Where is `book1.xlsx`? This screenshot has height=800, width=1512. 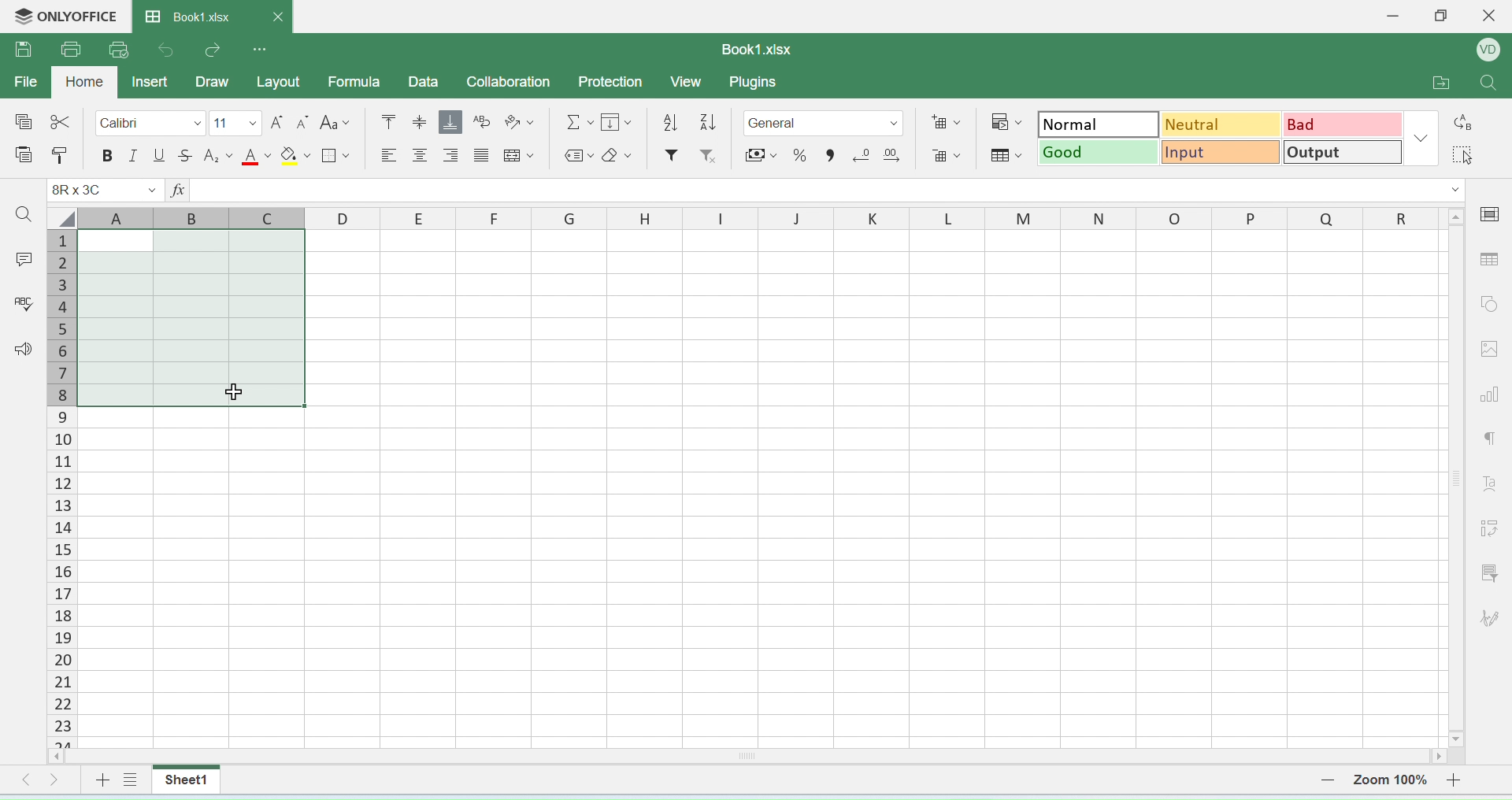 book1.xlsx is located at coordinates (754, 48).